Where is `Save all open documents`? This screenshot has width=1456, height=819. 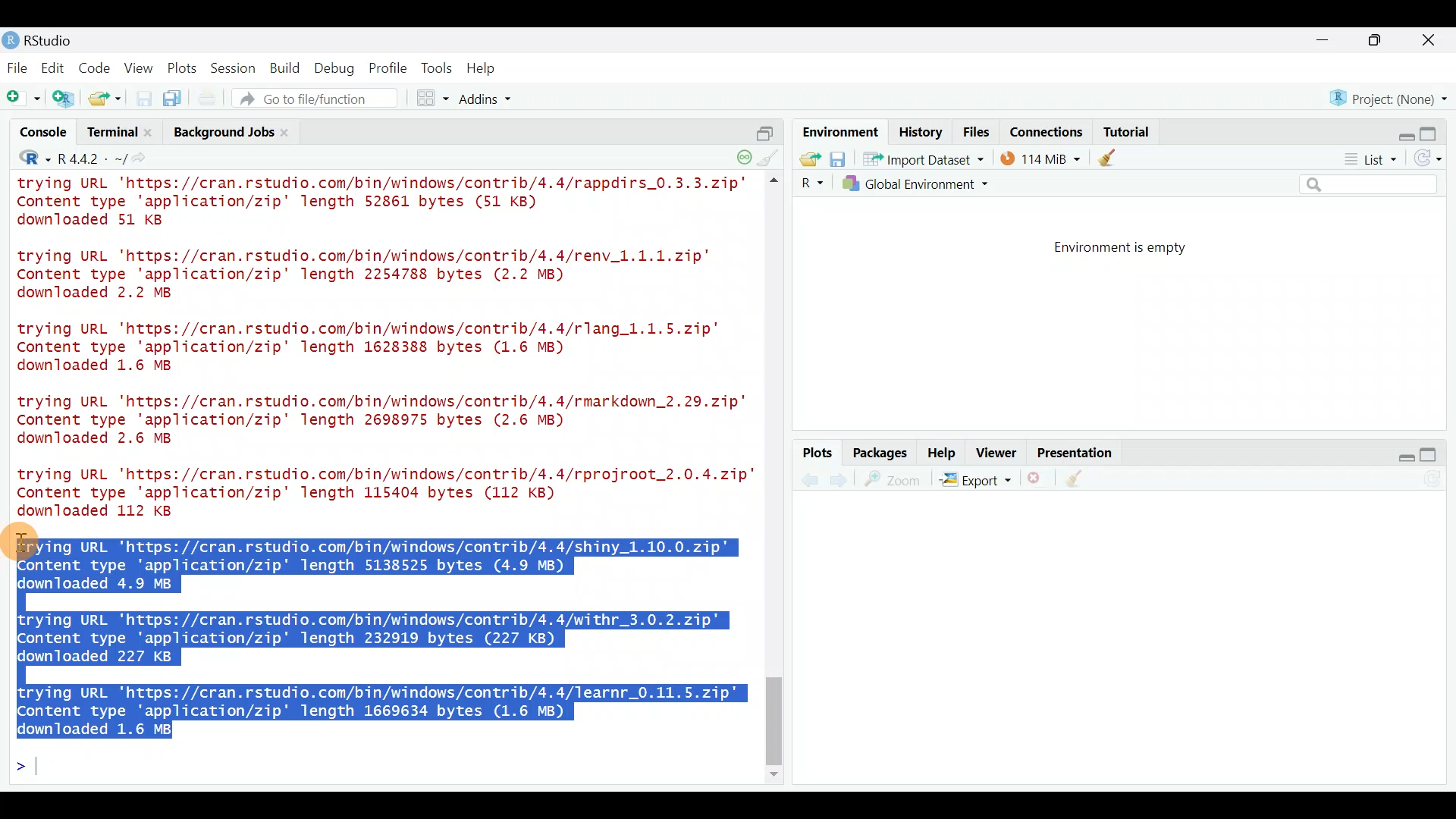
Save all open documents is located at coordinates (174, 99).